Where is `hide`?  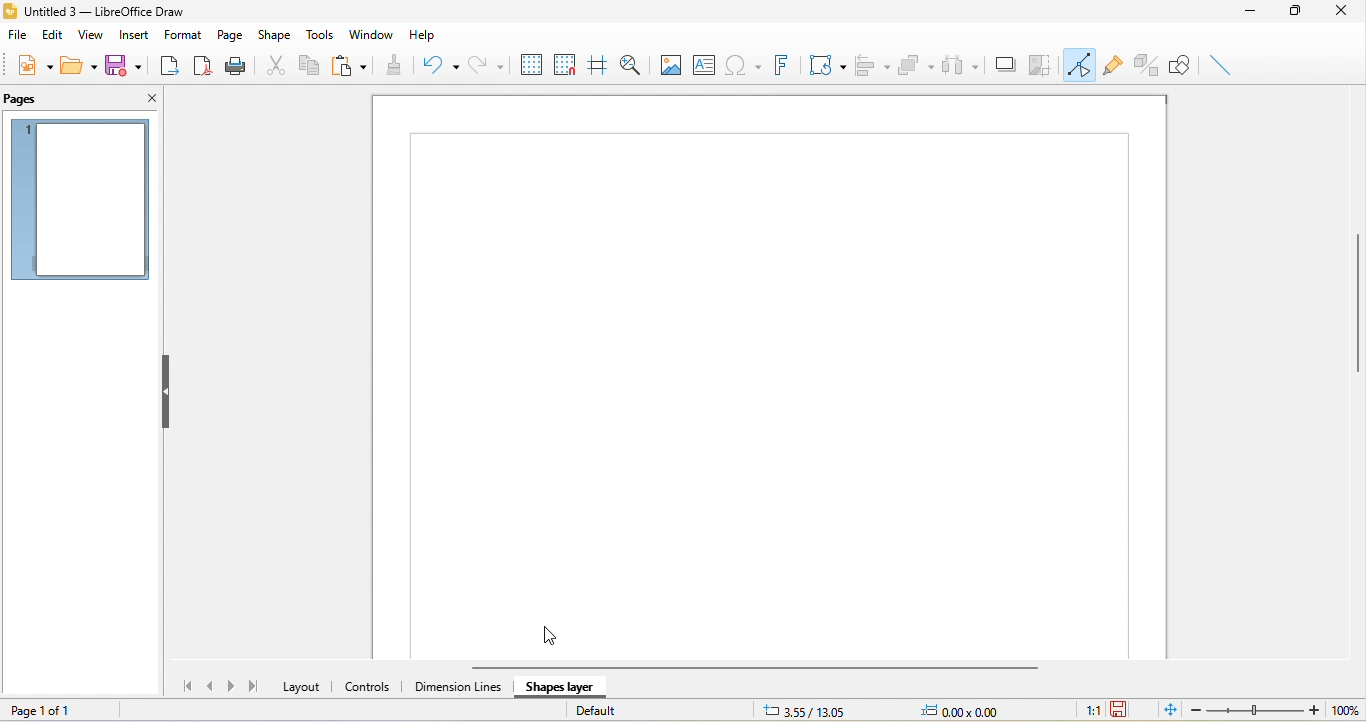
hide is located at coordinates (165, 390).